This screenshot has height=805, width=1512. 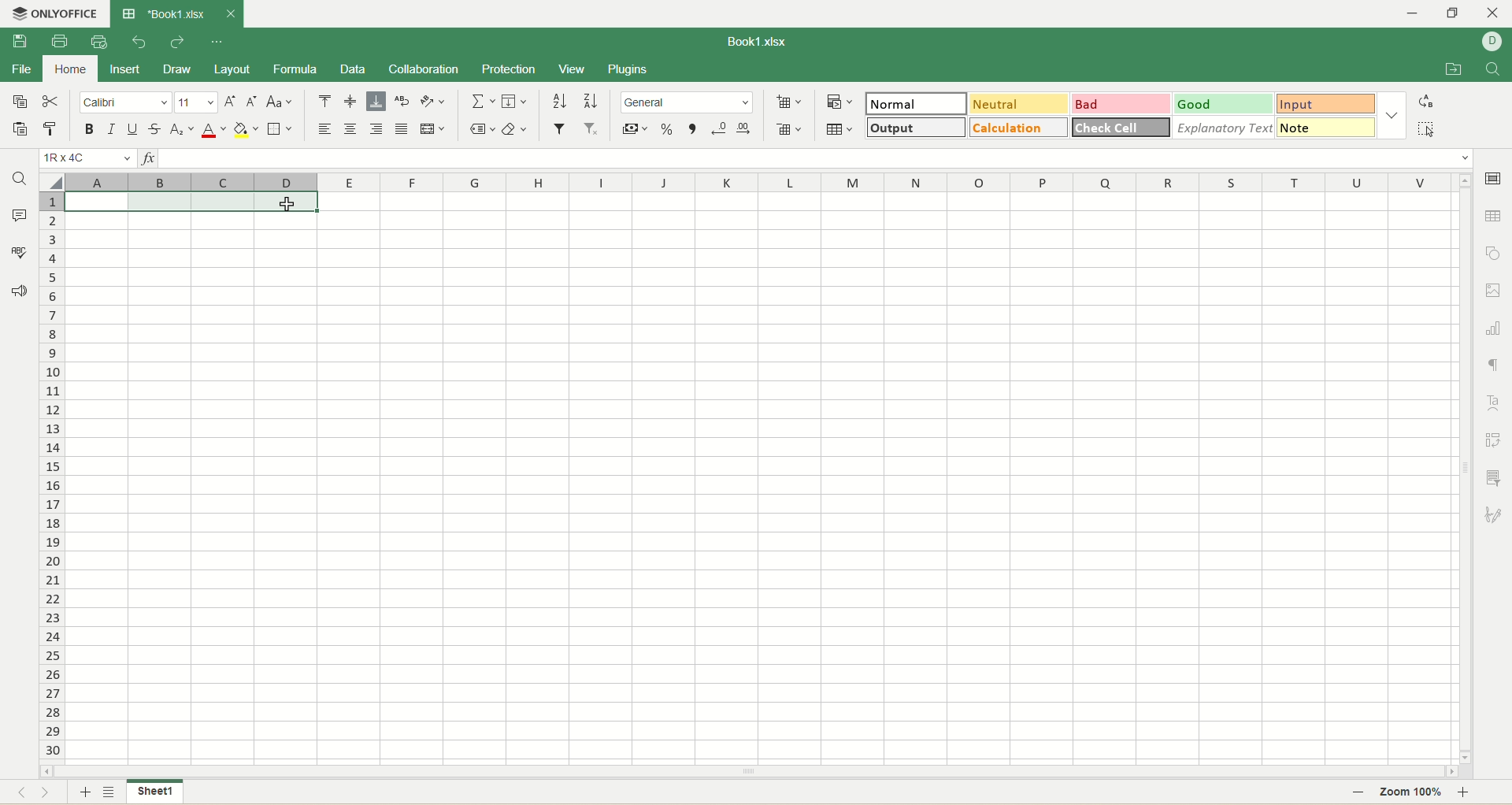 What do you see at coordinates (1222, 128) in the screenshot?
I see `explanatory text` at bounding box center [1222, 128].